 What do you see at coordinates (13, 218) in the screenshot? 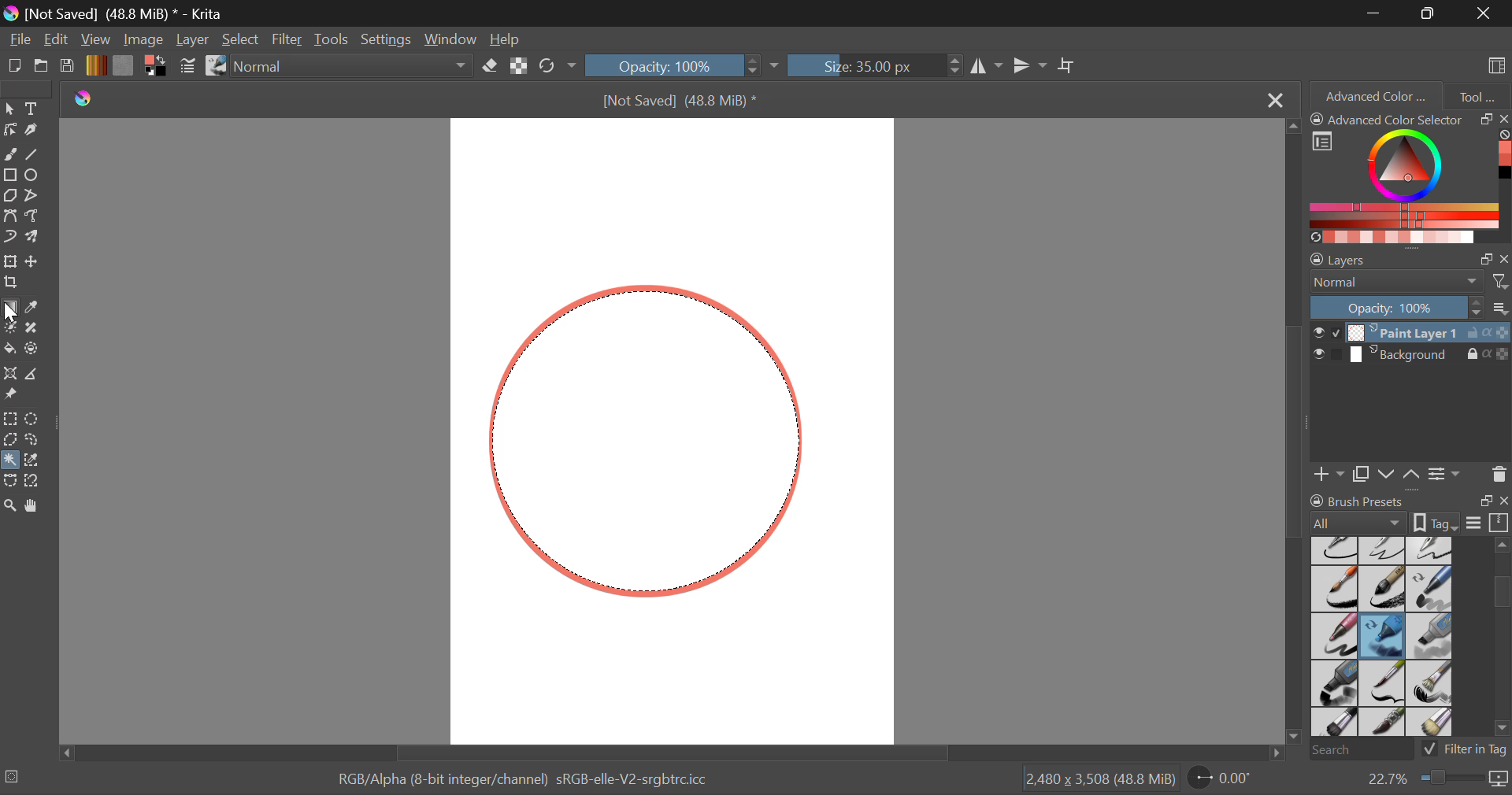
I see `Bezier Curve` at bounding box center [13, 218].